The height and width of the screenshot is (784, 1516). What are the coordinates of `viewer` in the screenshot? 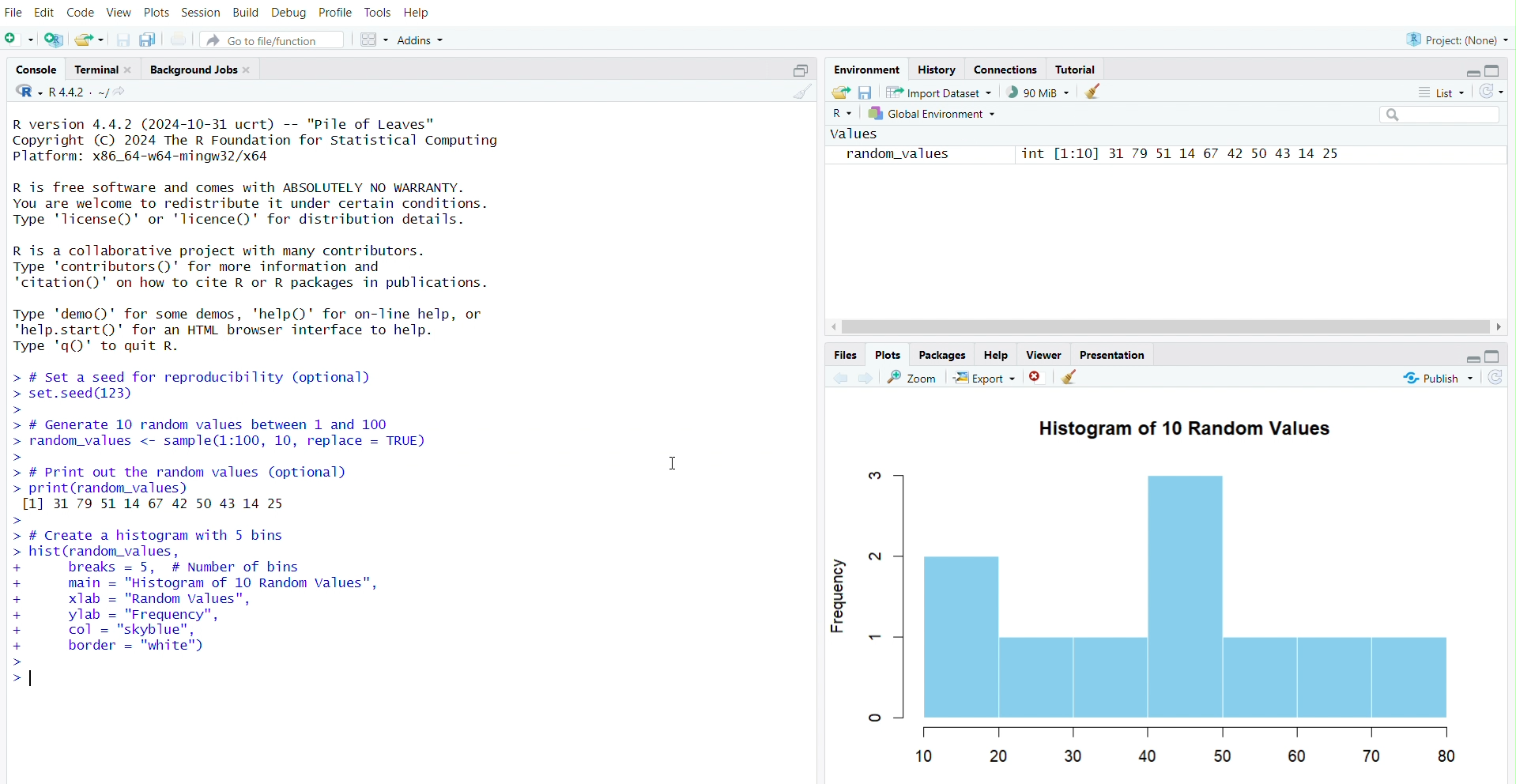 It's located at (1046, 355).